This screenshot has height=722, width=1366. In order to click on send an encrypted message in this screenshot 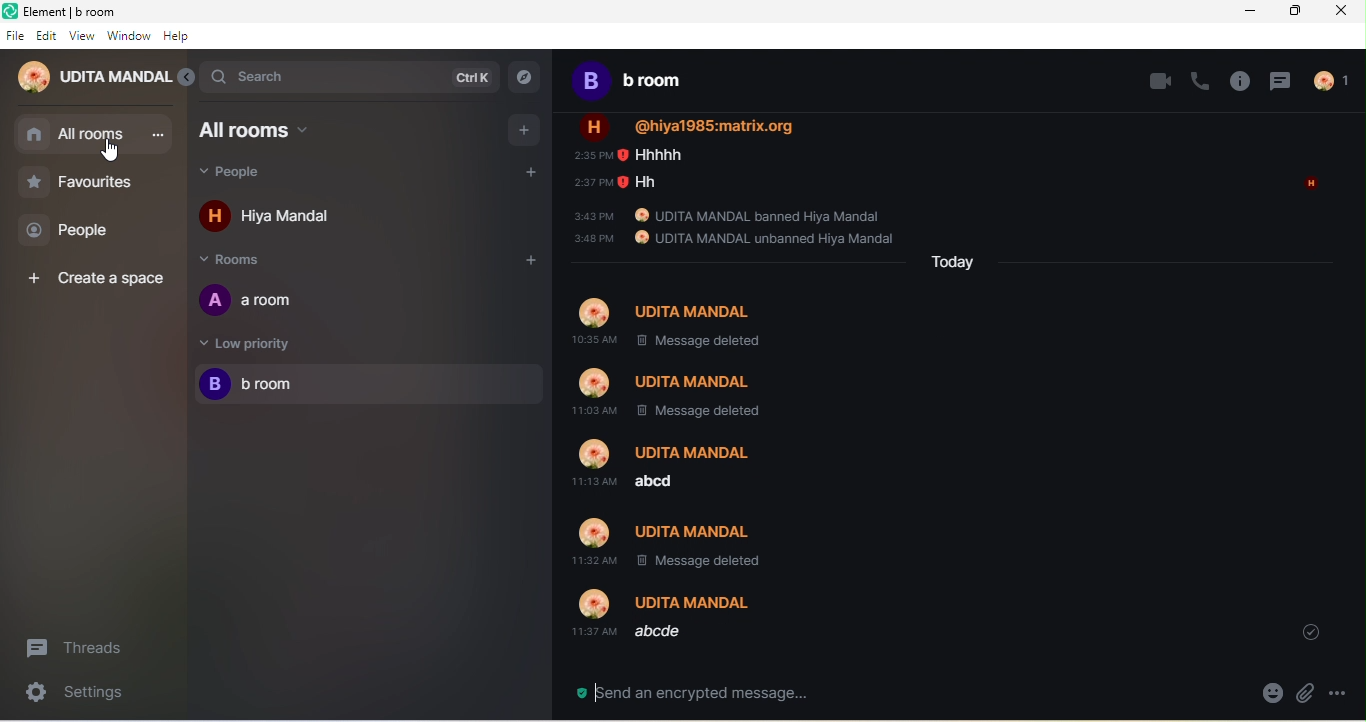, I will do `click(719, 689)`.